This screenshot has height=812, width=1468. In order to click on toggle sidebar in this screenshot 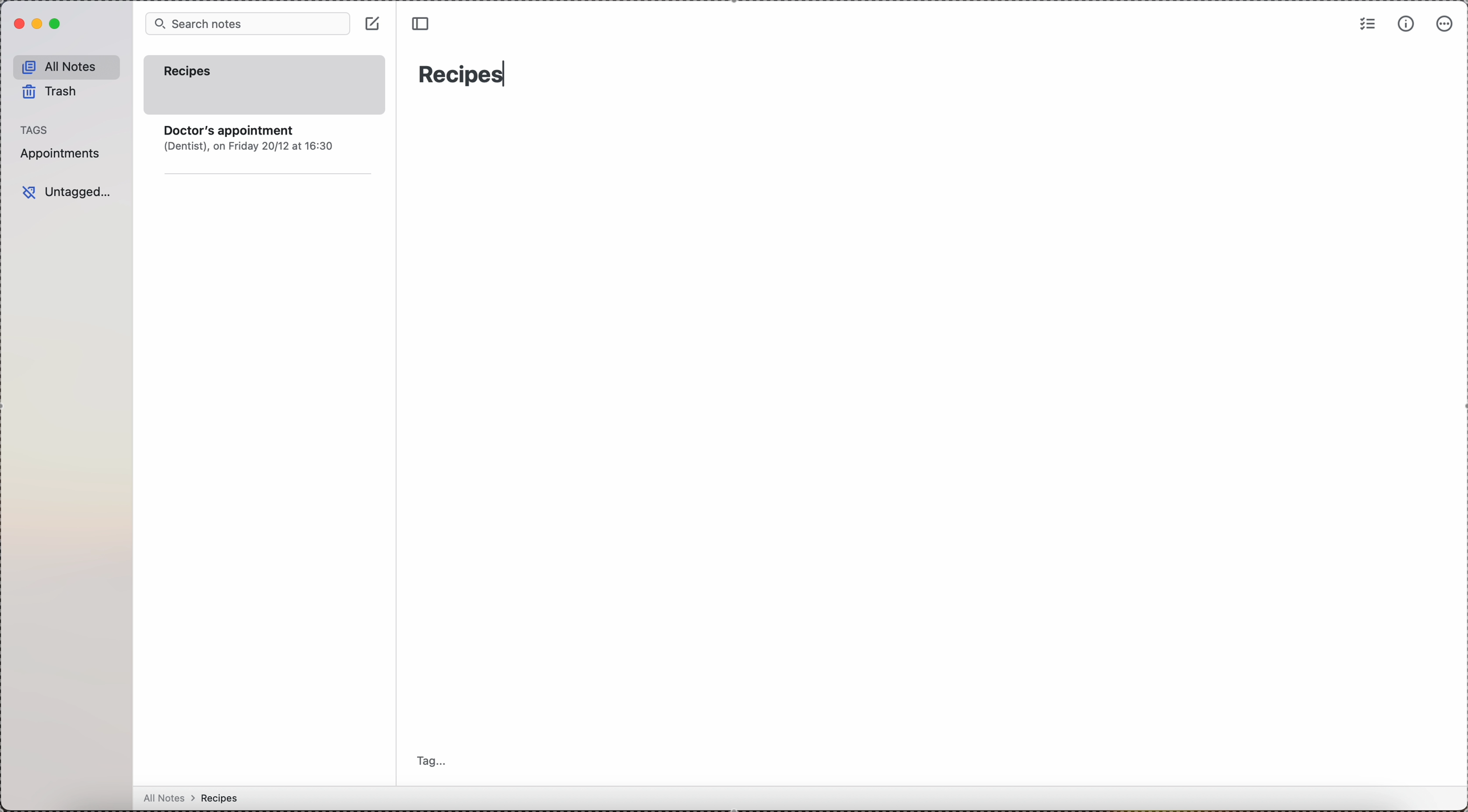, I will do `click(419, 22)`.